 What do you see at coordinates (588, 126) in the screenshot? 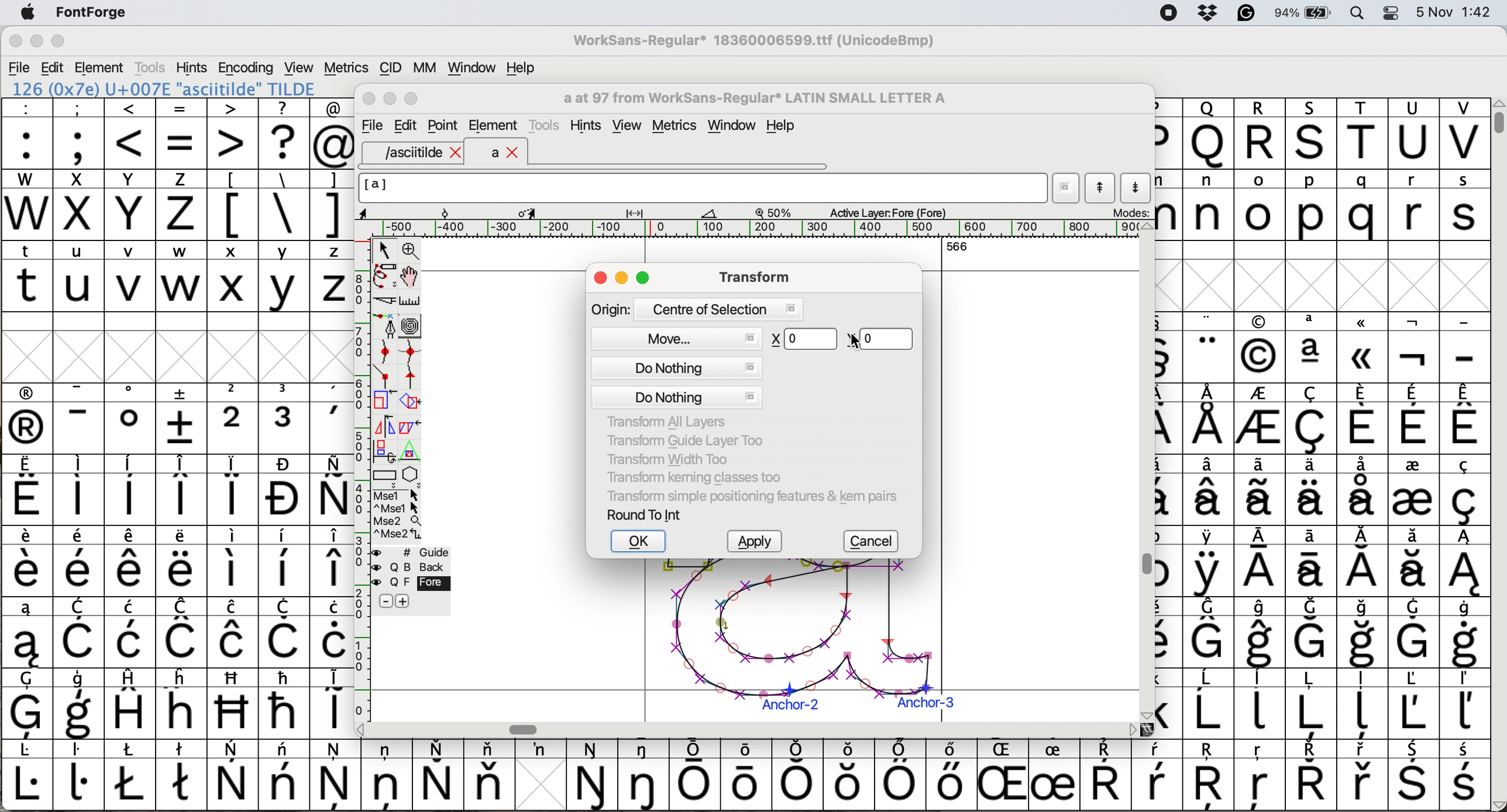
I see `hints` at bounding box center [588, 126].